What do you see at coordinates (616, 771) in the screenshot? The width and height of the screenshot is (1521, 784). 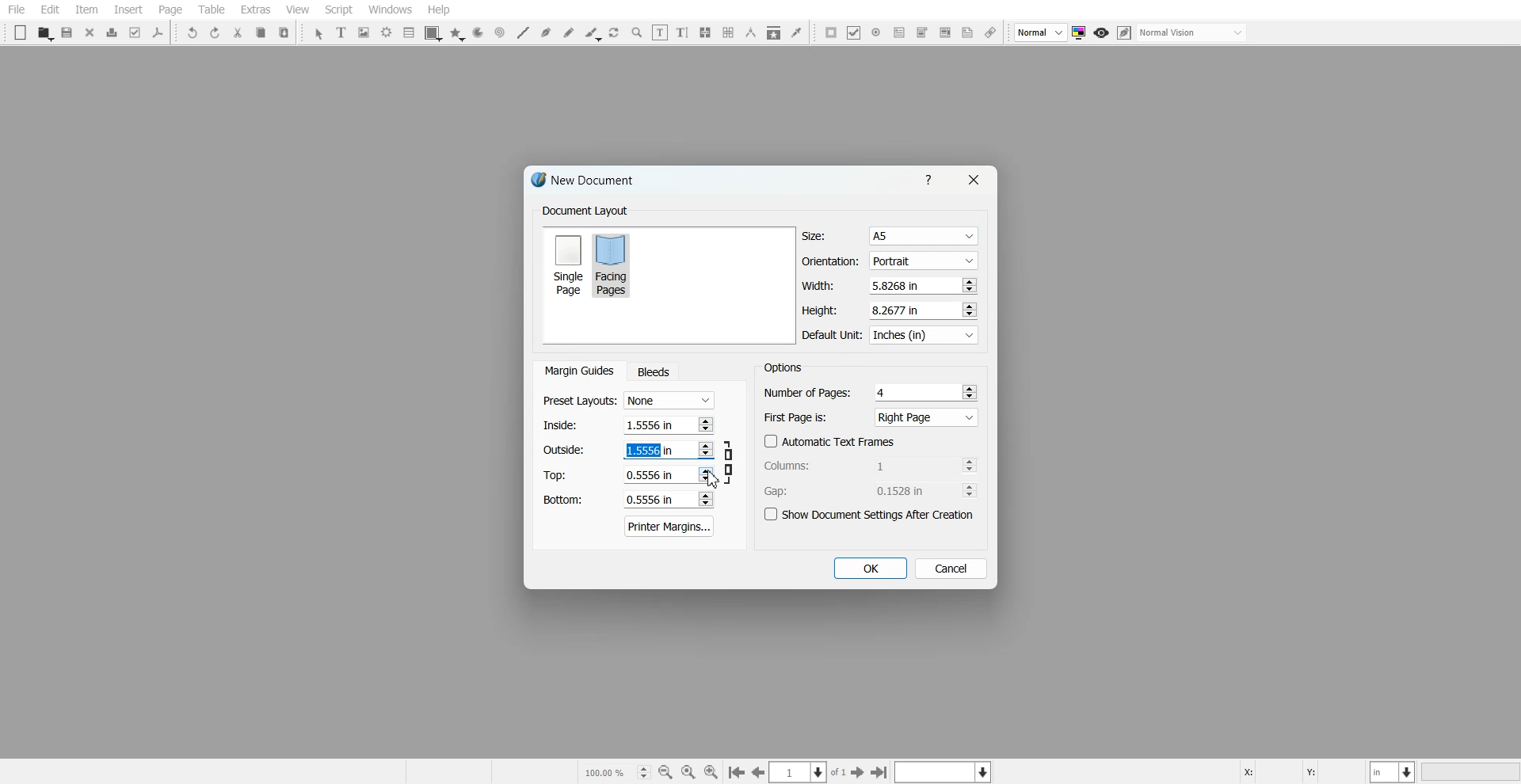 I see `Select current zoom` at bounding box center [616, 771].